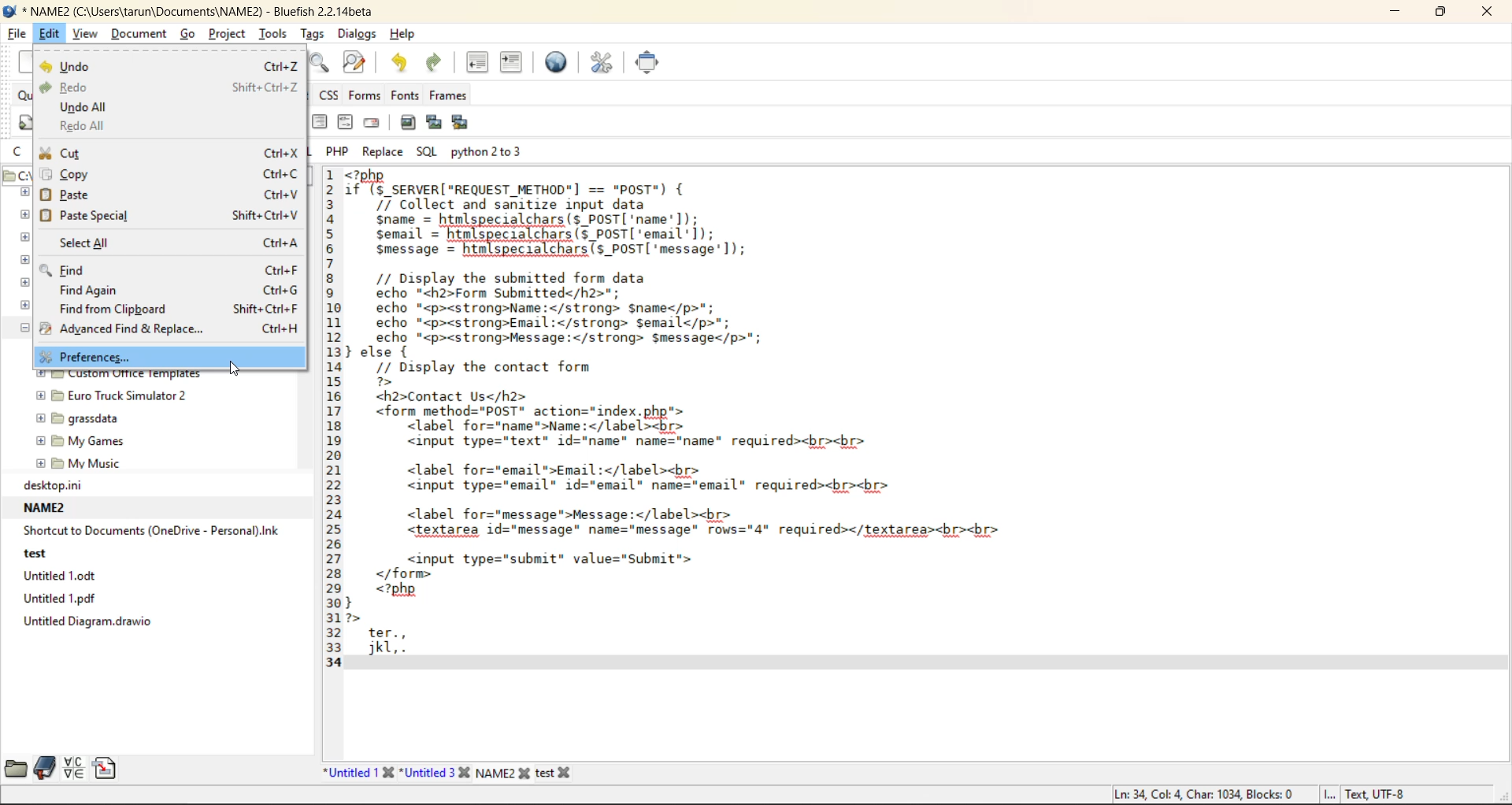 This screenshot has height=805, width=1512. What do you see at coordinates (275, 35) in the screenshot?
I see `tools` at bounding box center [275, 35].